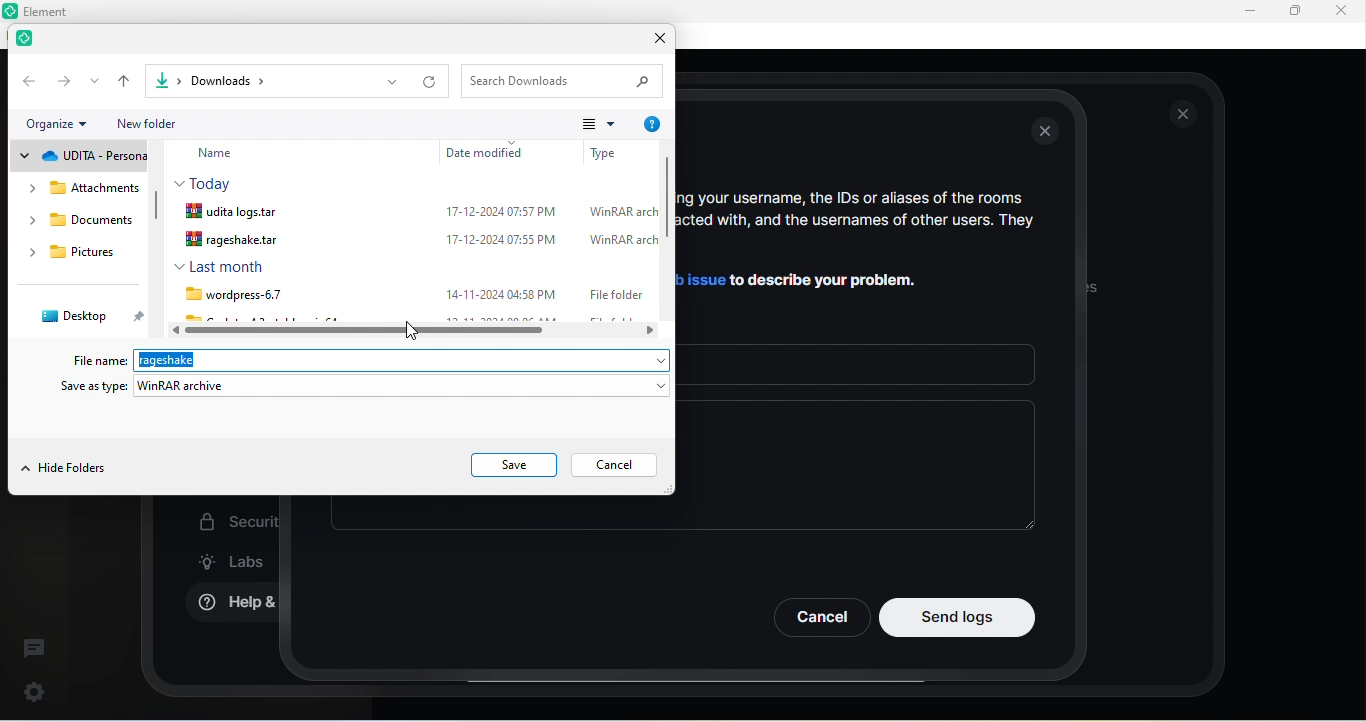  What do you see at coordinates (82, 224) in the screenshot?
I see `downloads` at bounding box center [82, 224].